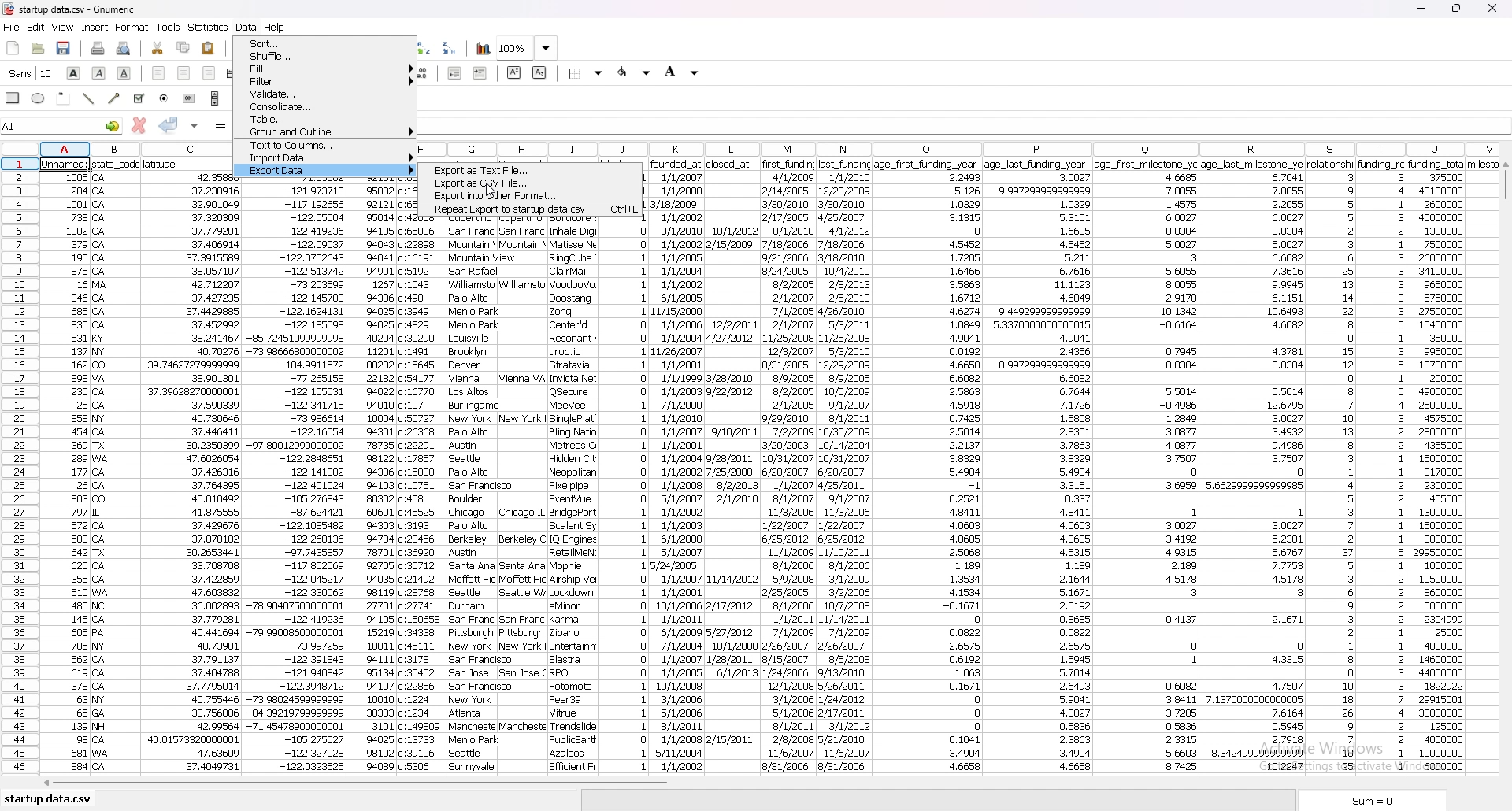 The height and width of the screenshot is (811, 1512). Describe the element at coordinates (31, 73) in the screenshot. I see `font` at that location.